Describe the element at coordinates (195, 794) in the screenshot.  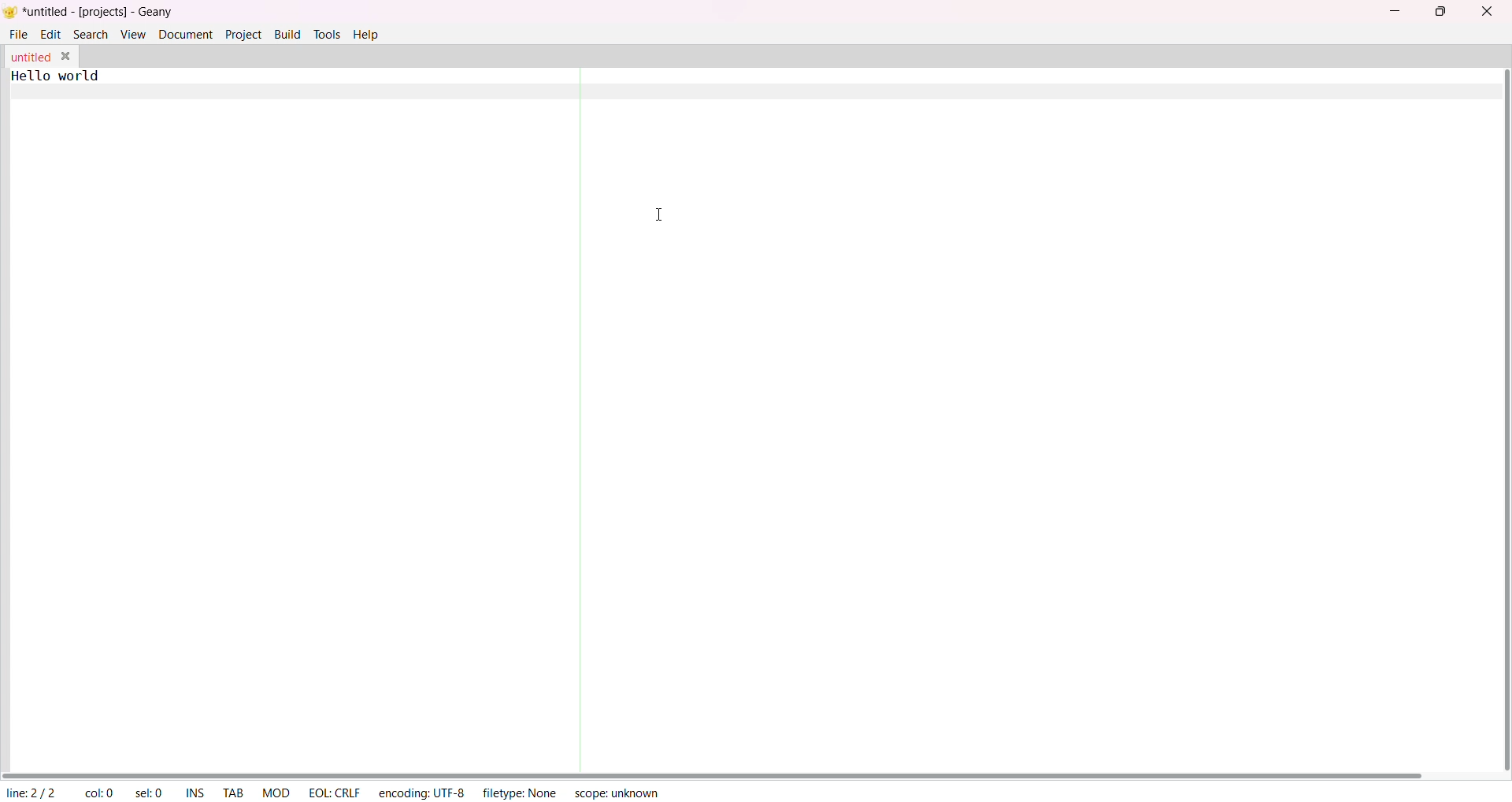
I see `ins` at that location.